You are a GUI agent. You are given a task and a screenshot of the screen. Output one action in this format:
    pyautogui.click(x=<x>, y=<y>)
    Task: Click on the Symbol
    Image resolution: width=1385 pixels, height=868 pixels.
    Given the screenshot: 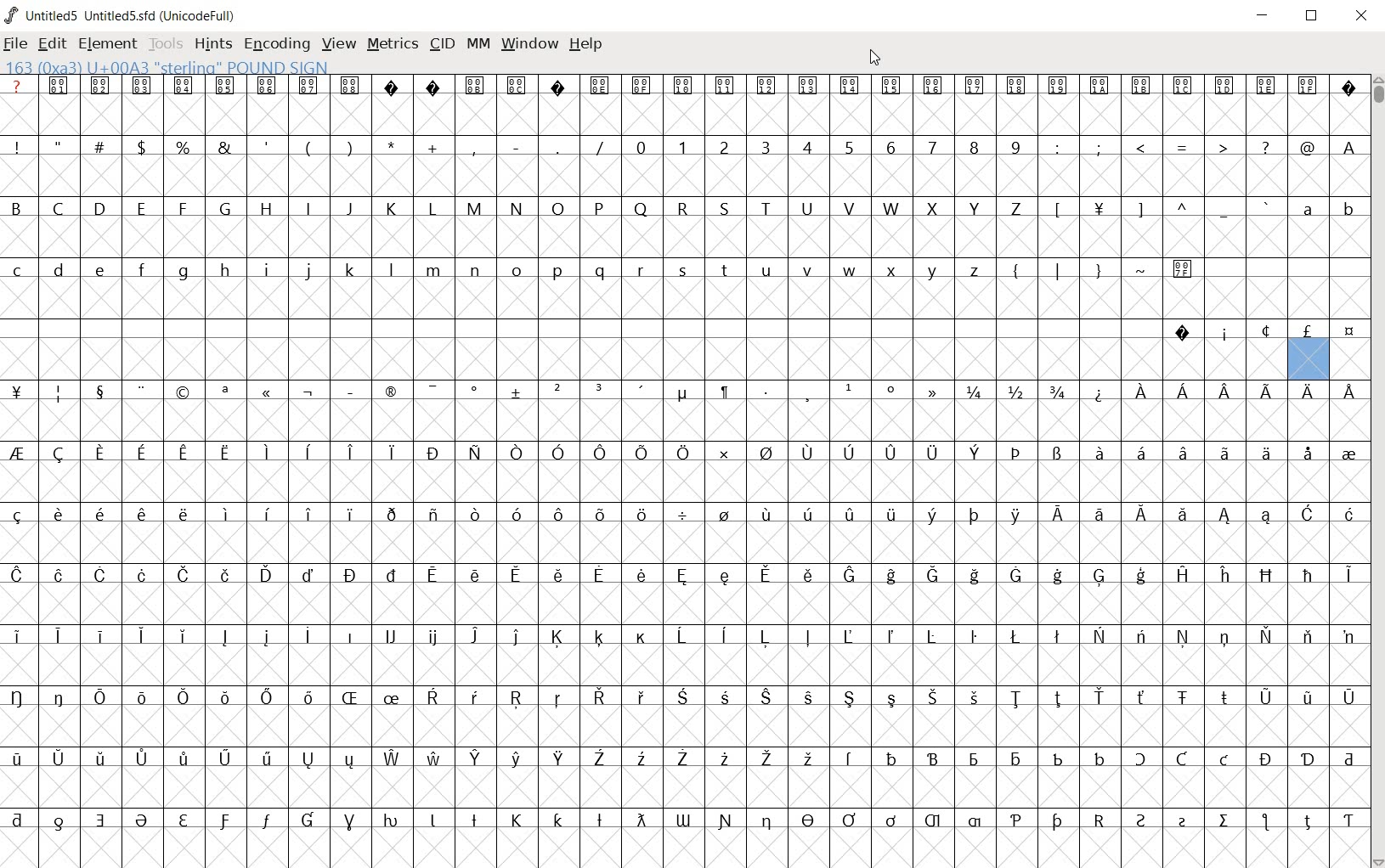 What is the action you would take?
    pyautogui.click(x=1184, y=268)
    